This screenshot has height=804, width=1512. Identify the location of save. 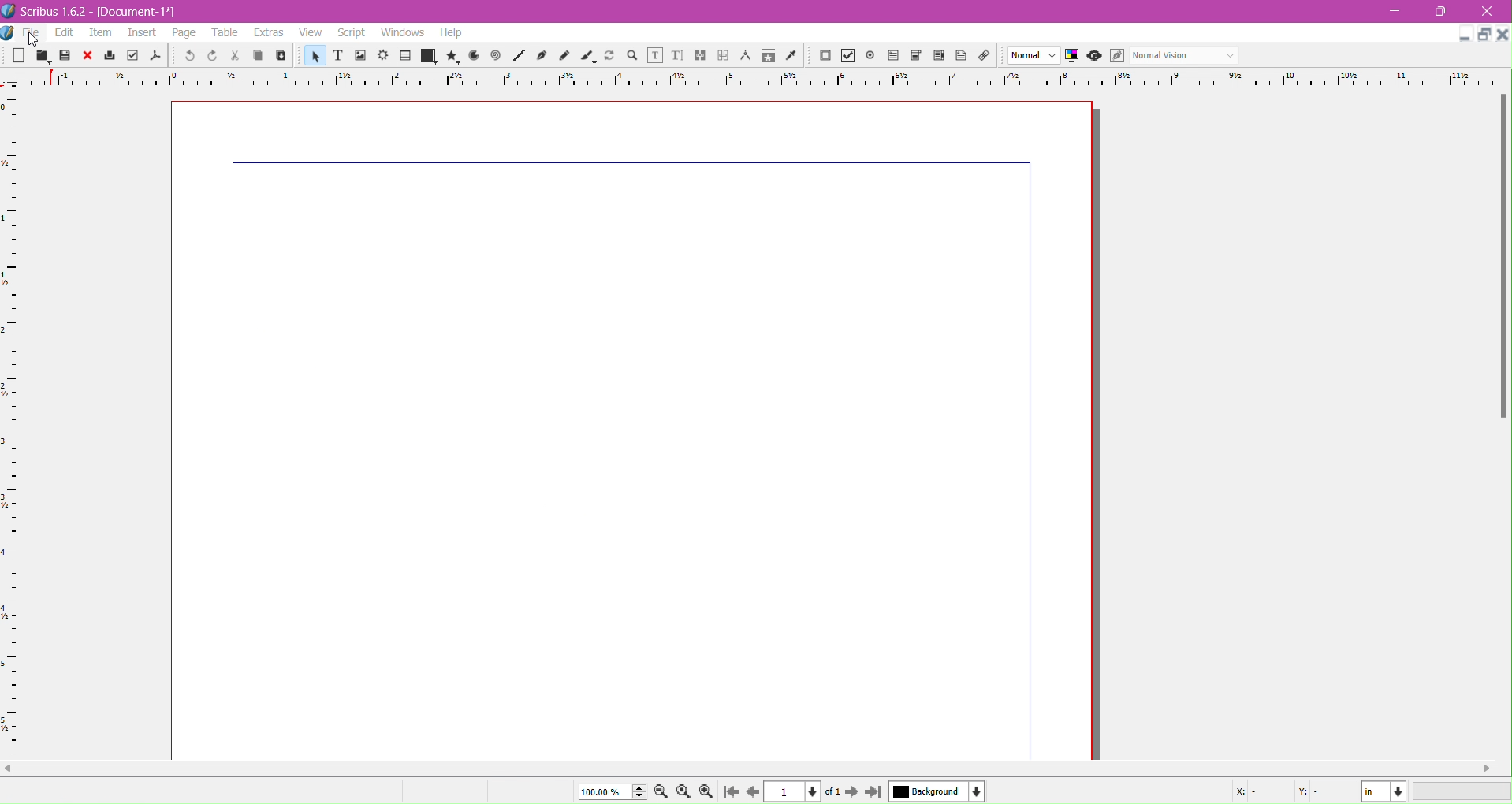
(65, 57).